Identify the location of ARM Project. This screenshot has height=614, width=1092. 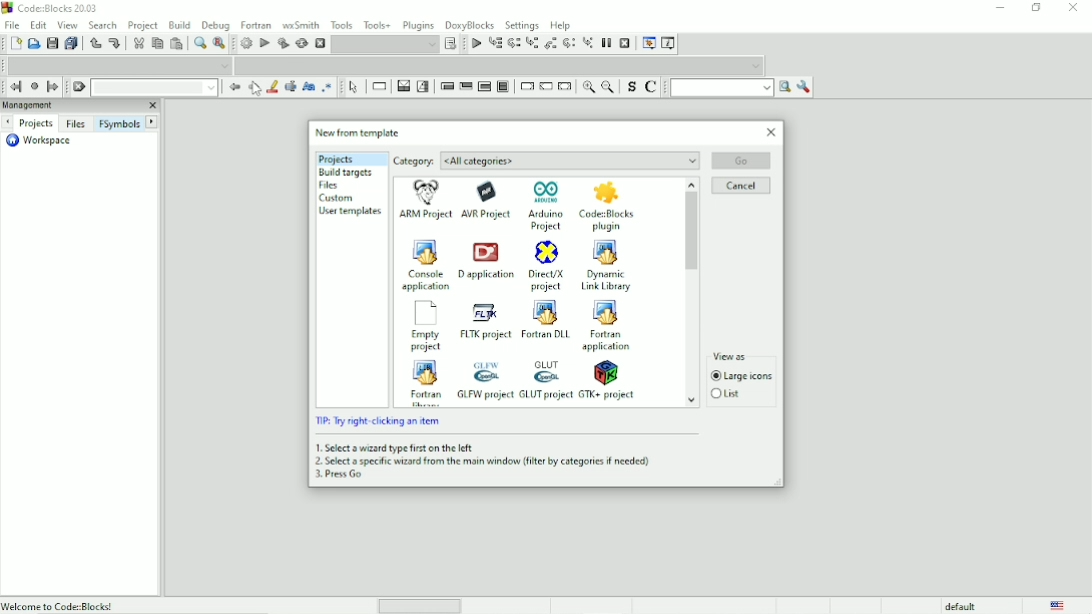
(426, 202).